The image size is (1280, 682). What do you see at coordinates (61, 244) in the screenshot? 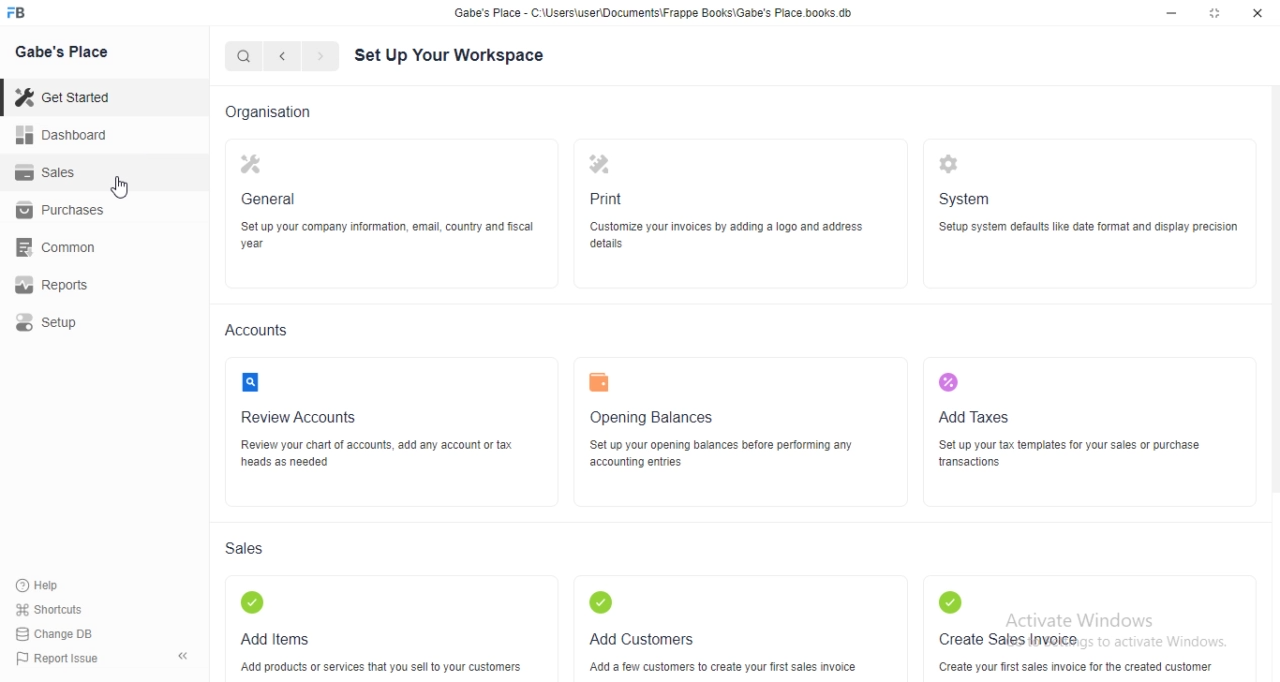
I see `common` at bounding box center [61, 244].